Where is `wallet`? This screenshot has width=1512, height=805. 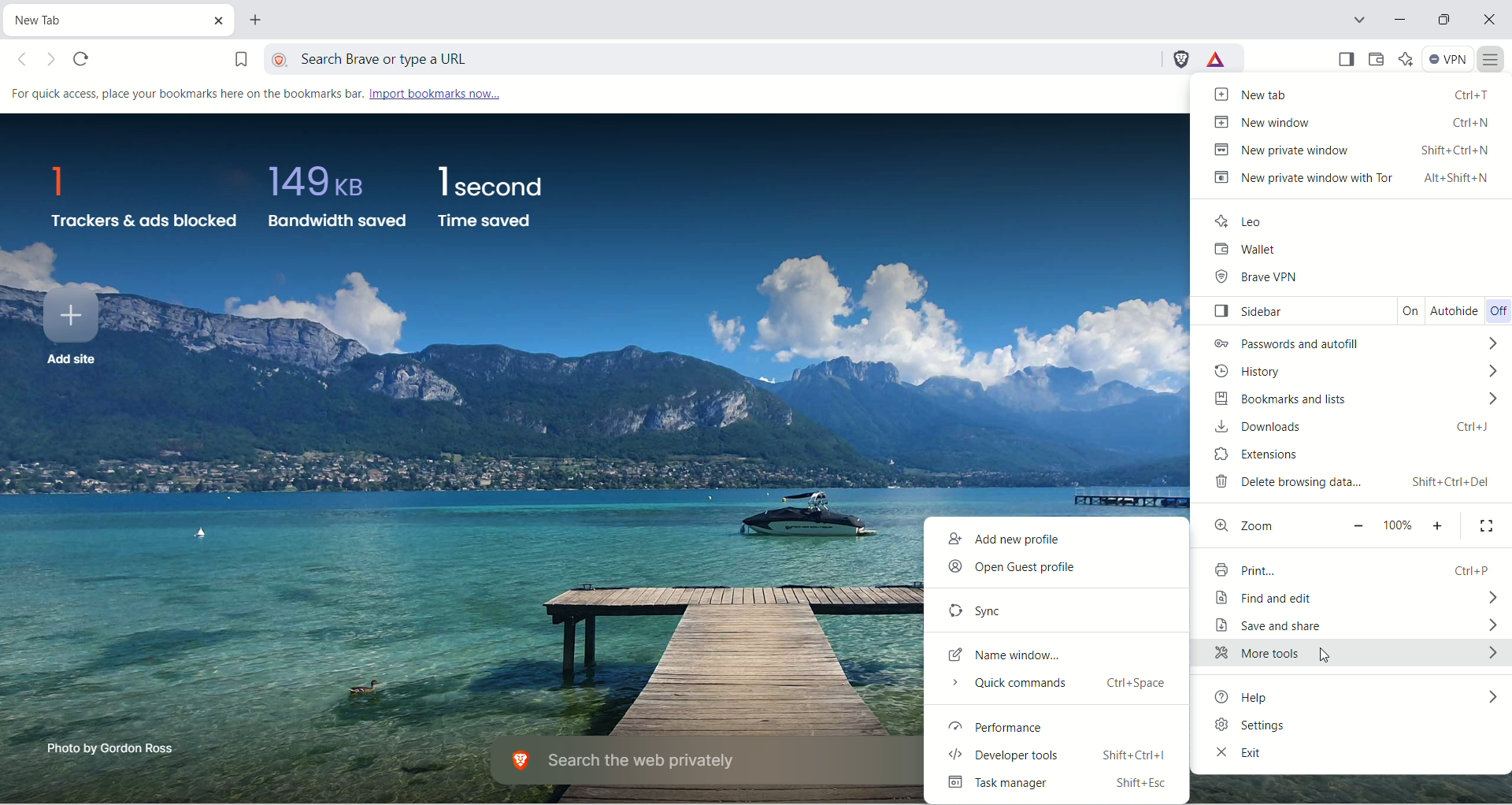
wallet is located at coordinates (1344, 250).